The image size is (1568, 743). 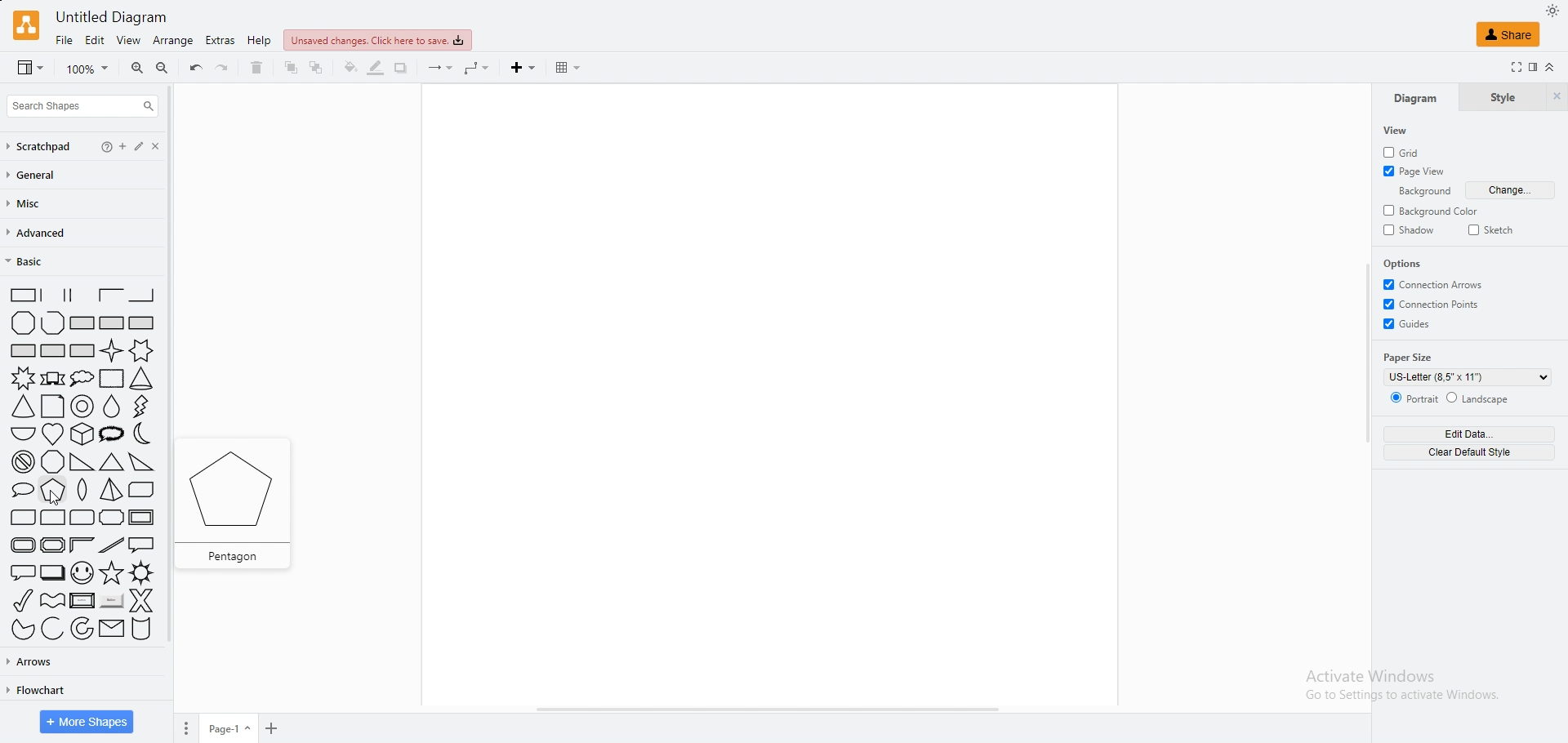 What do you see at coordinates (23, 349) in the screenshot?
I see `rectangle with horizontal fill` at bounding box center [23, 349].